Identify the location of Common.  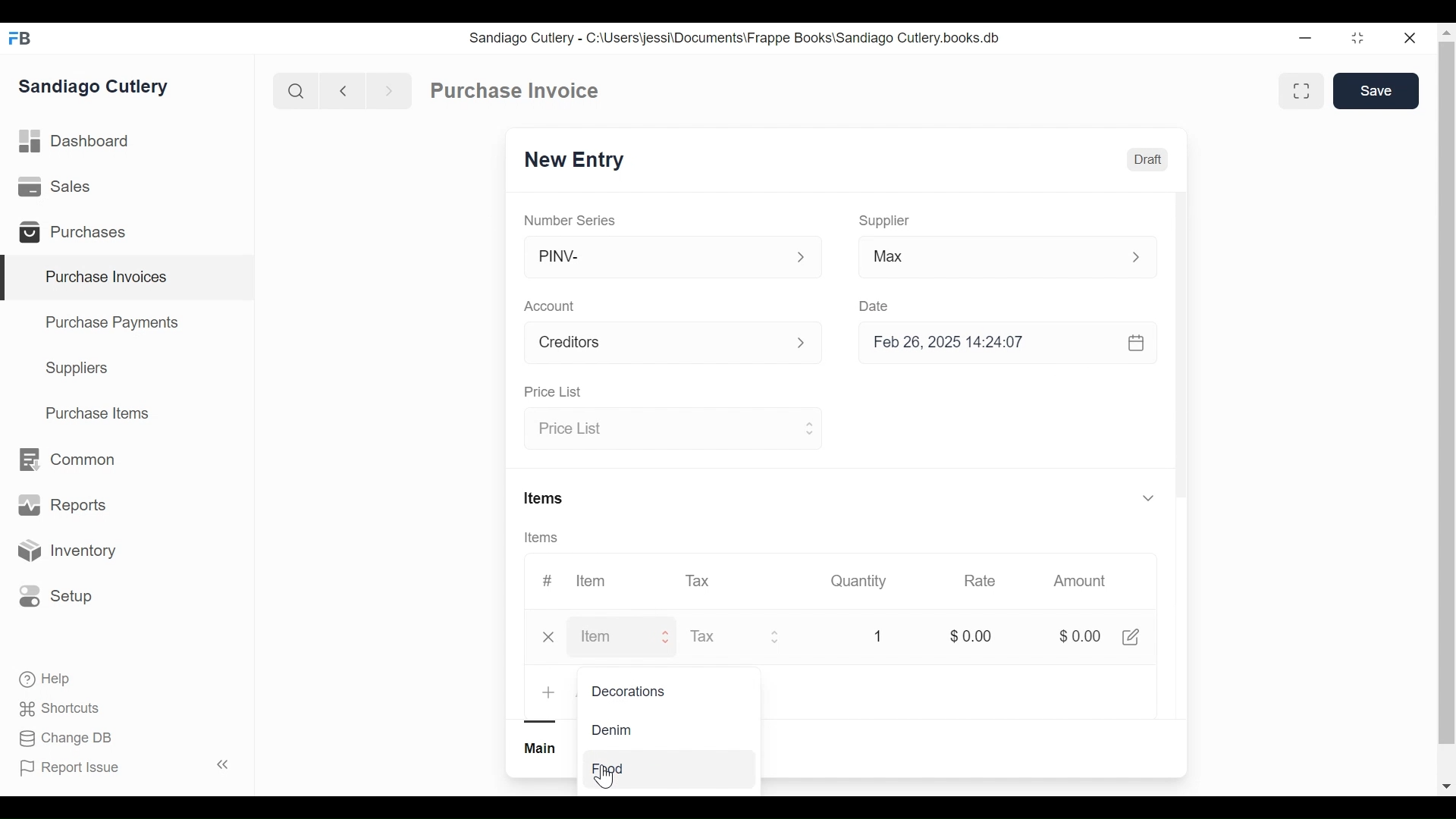
(65, 460).